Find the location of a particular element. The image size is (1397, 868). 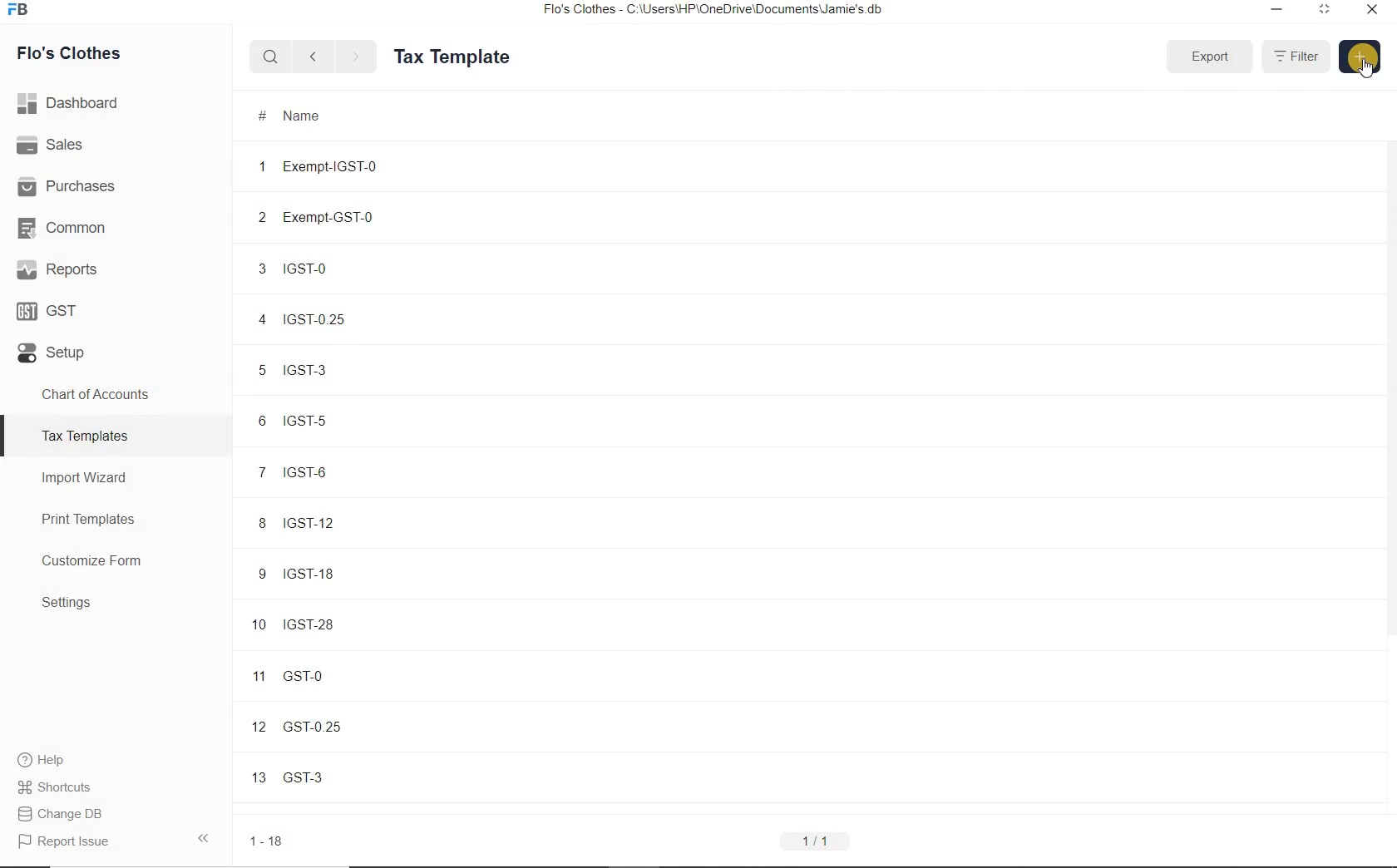

Flo's Clothes - C:\Users\HP\OneDrive\Documents\Jamie's db is located at coordinates (712, 9).